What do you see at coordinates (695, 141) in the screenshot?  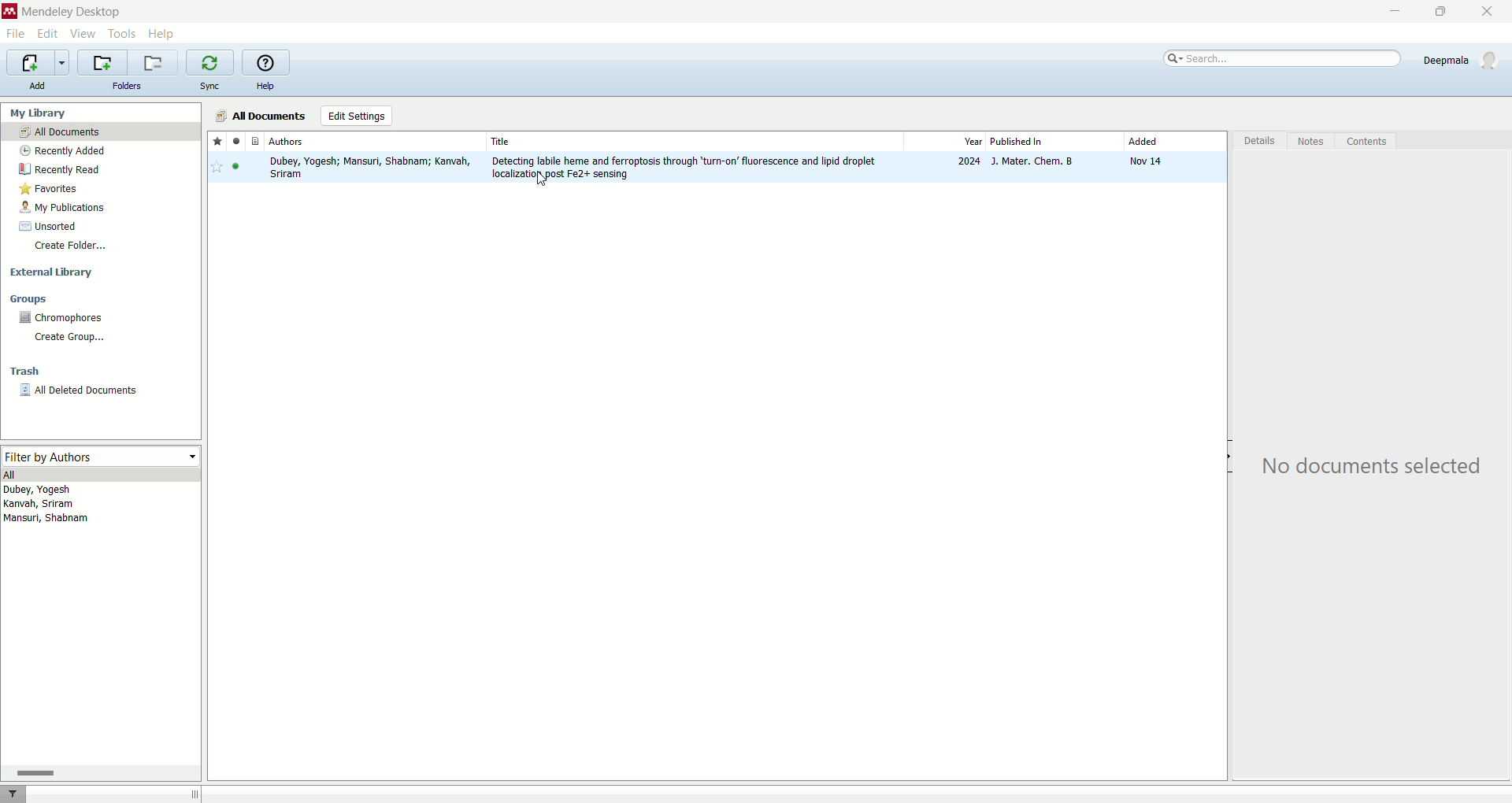 I see `Title` at bounding box center [695, 141].